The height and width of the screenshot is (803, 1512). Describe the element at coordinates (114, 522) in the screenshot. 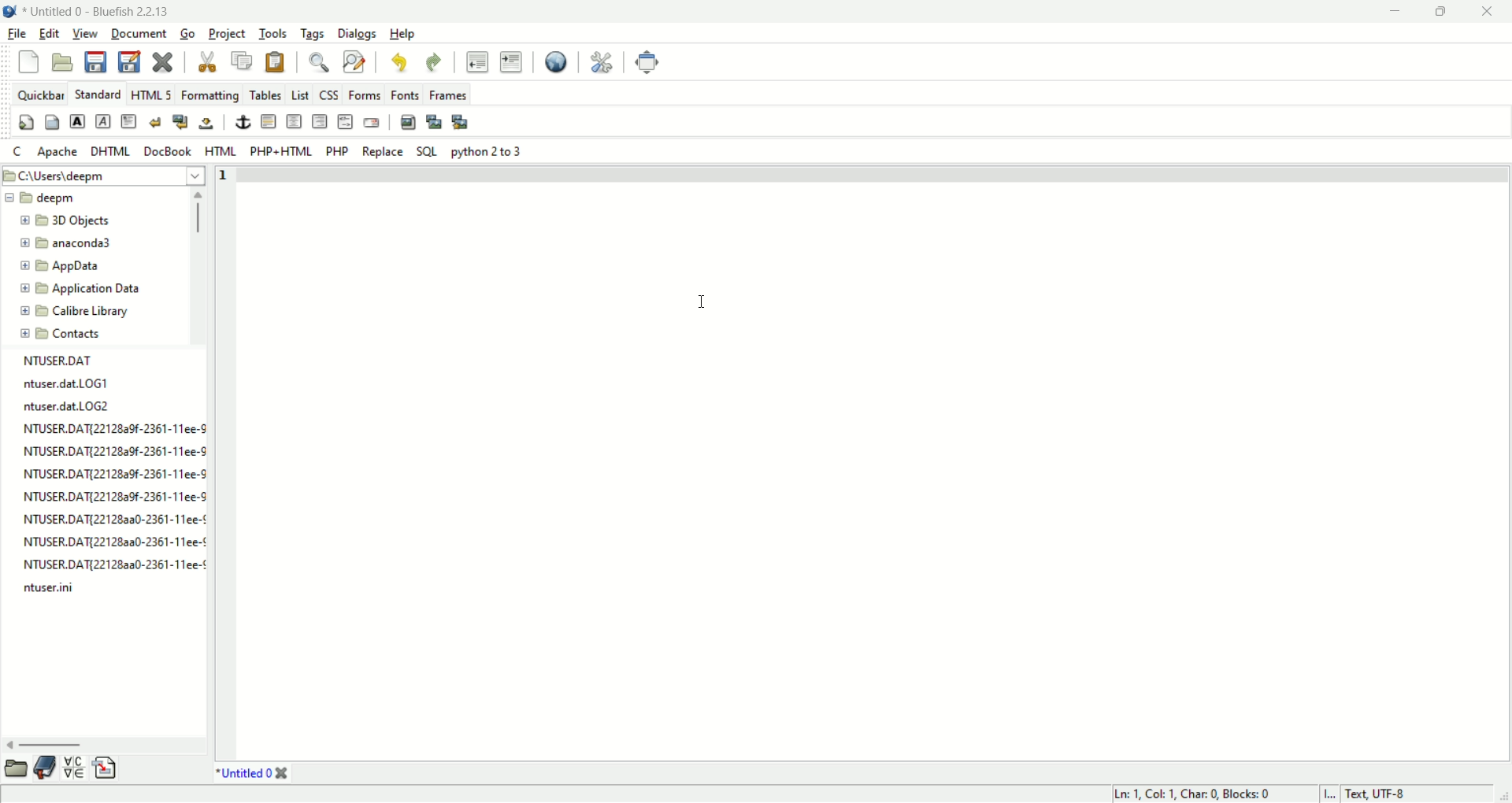

I see `NTUSER.DAT{221282a0-2361-11ee-¢` at that location.